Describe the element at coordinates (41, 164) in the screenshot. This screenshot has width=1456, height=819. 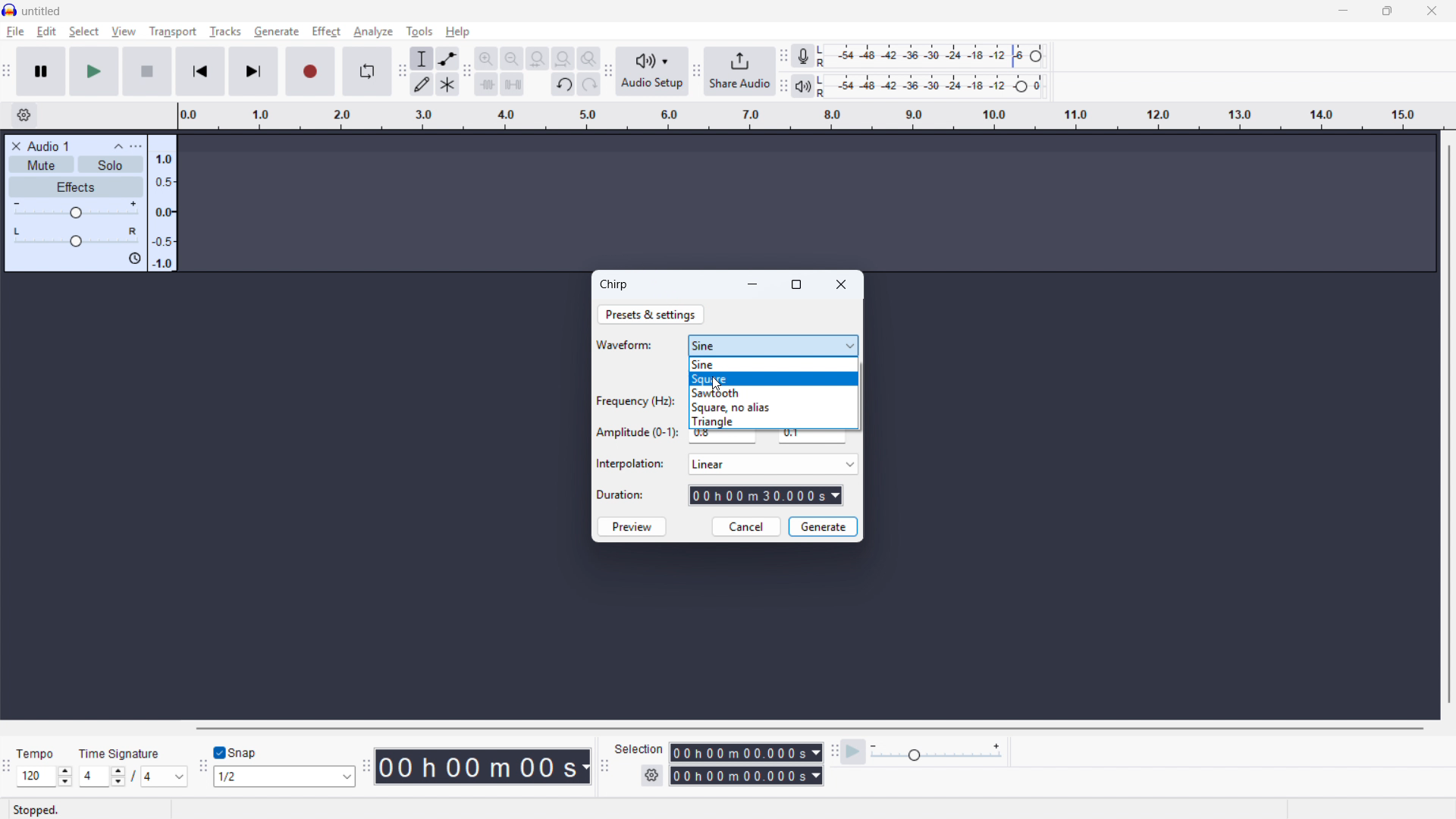
I see `mute ` at that location.